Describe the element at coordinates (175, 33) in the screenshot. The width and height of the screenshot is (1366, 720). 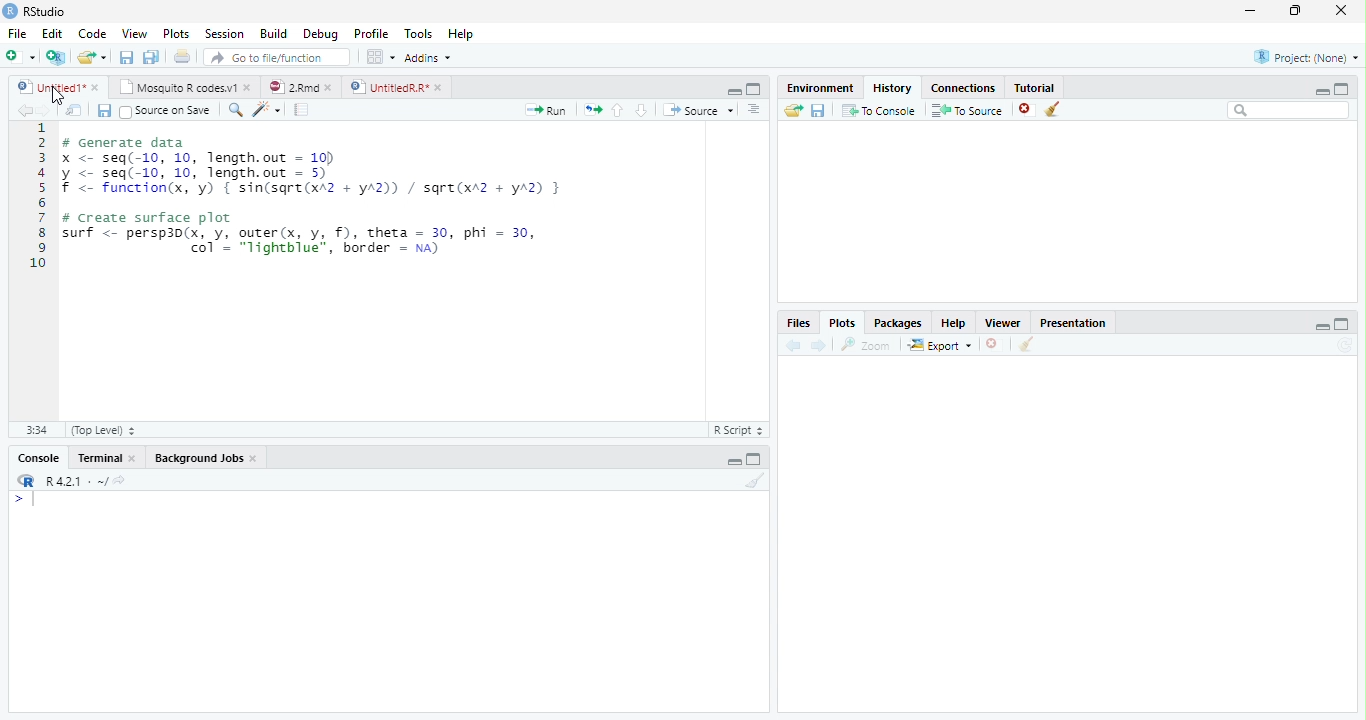
I see `Plots` at that location.